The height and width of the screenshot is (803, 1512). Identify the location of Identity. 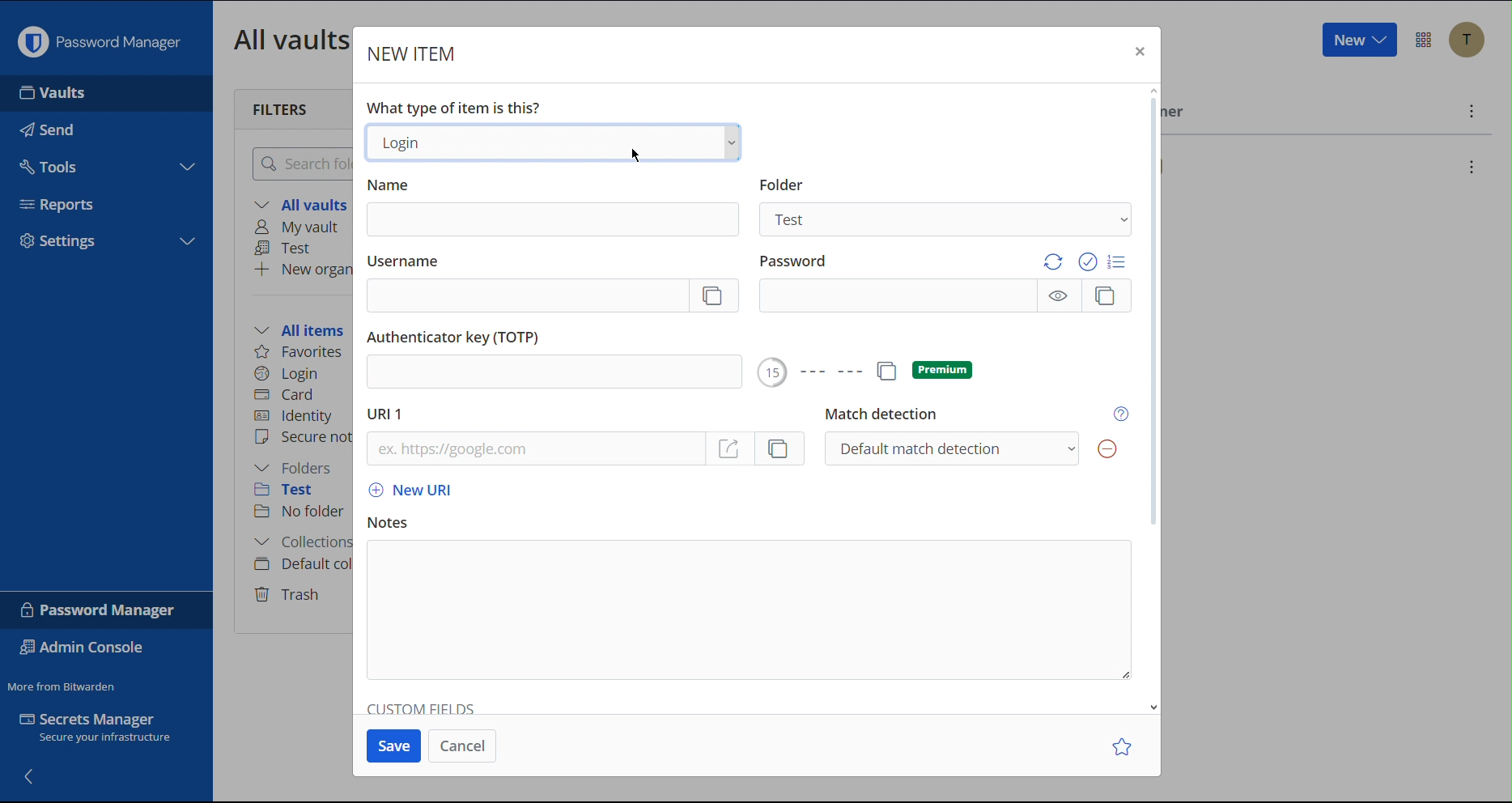
(295, 416).